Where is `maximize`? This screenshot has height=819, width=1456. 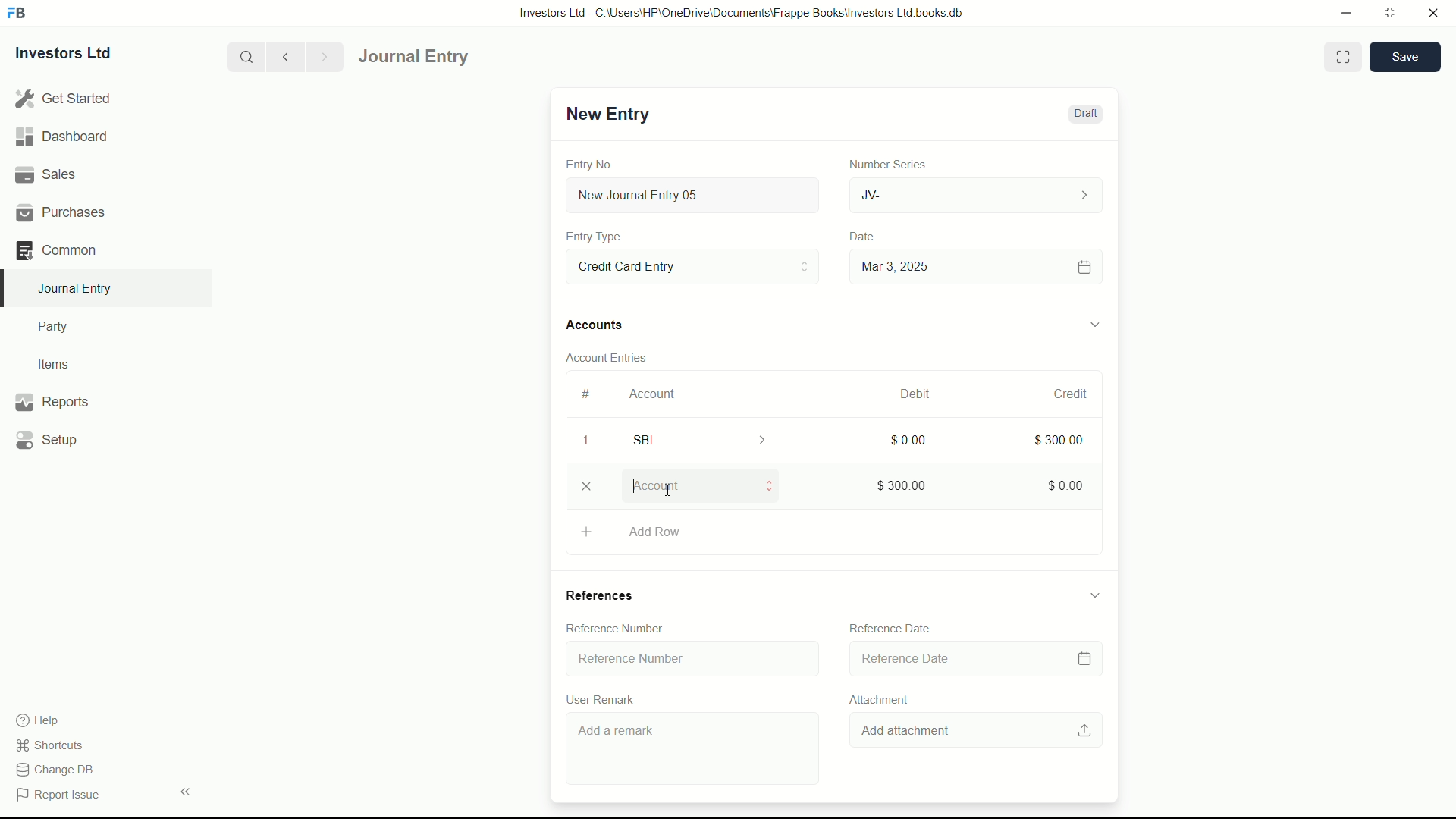
maximize is located at coordinates (1389, 11).